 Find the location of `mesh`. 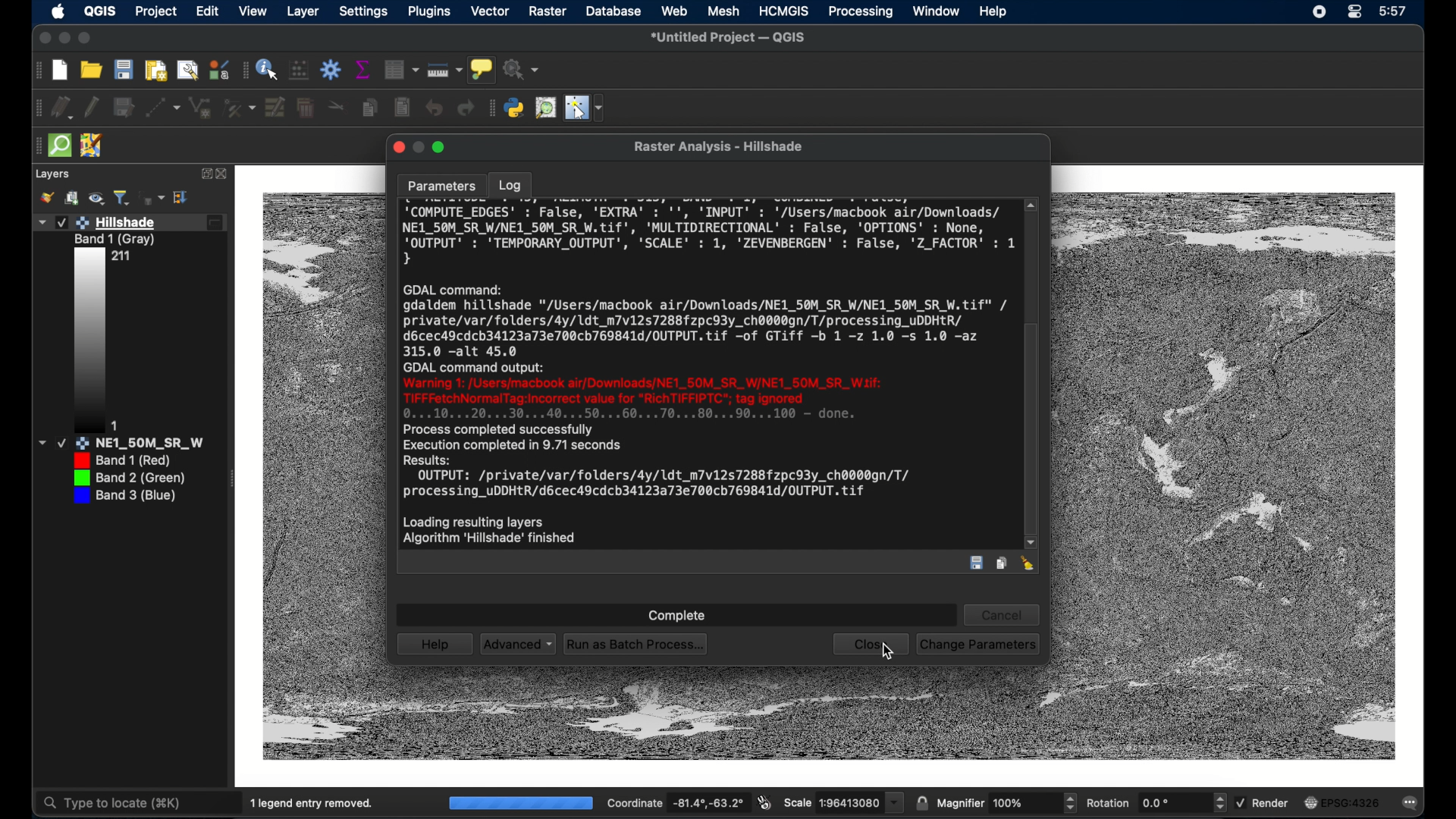

mesh is located at coordinates (723, 11).